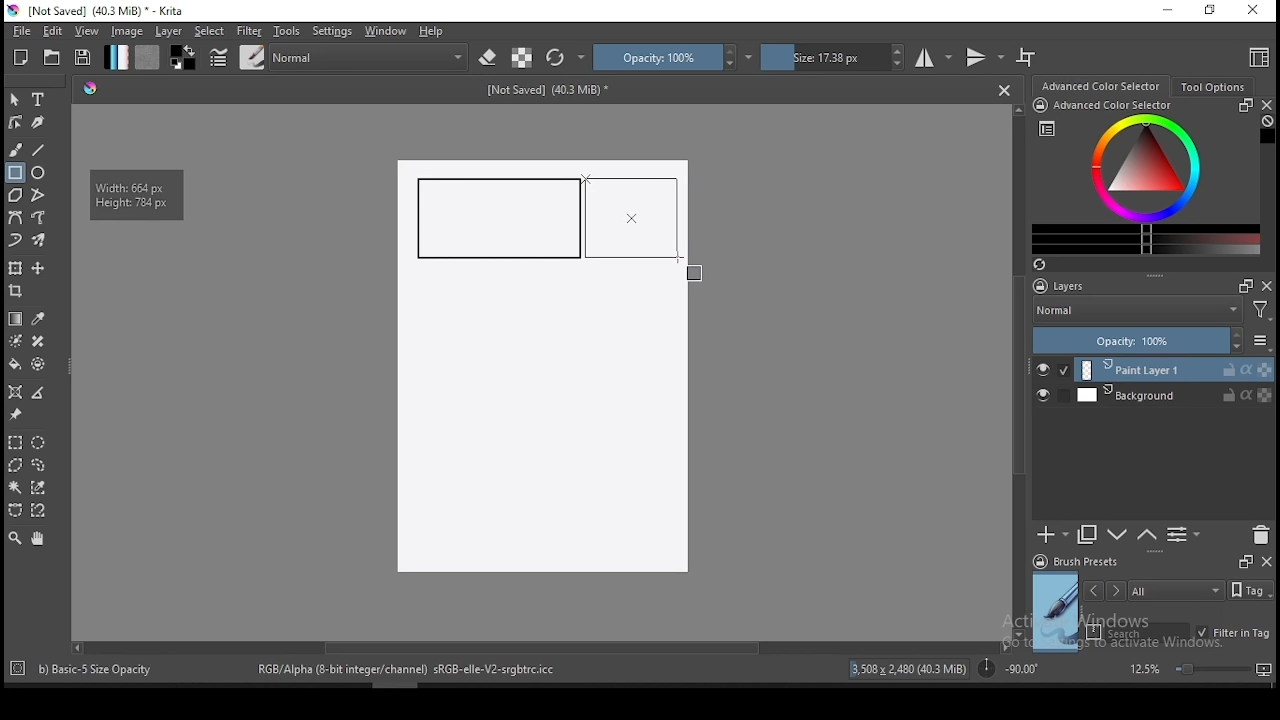 The width and height of the screenshot is (1280, 720). What do you see at coordinates (386, 31) in the screenshot?
I see `windows` at bounding box center [386, 31].